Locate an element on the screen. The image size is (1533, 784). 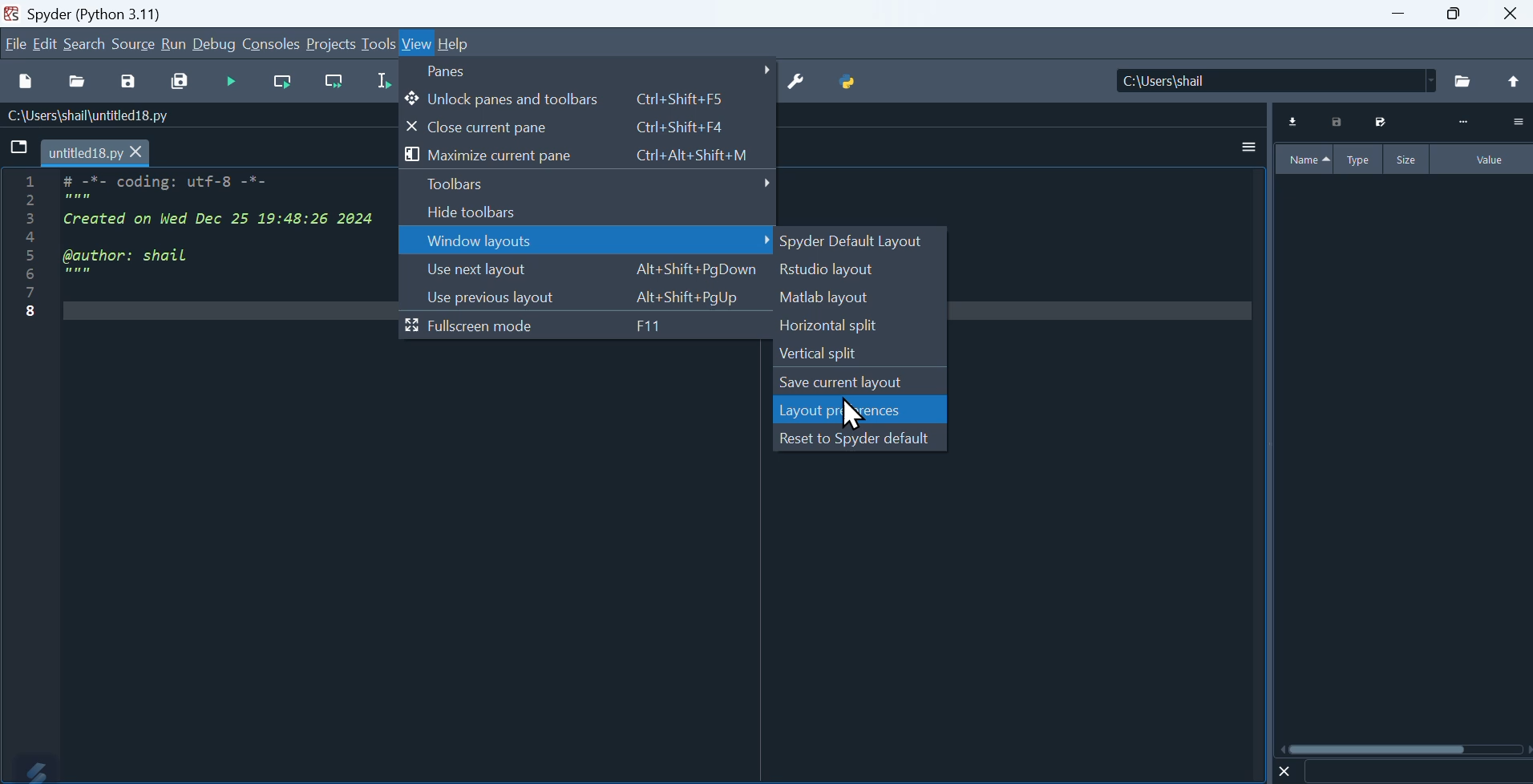
File is located at coordinates (20, 148).